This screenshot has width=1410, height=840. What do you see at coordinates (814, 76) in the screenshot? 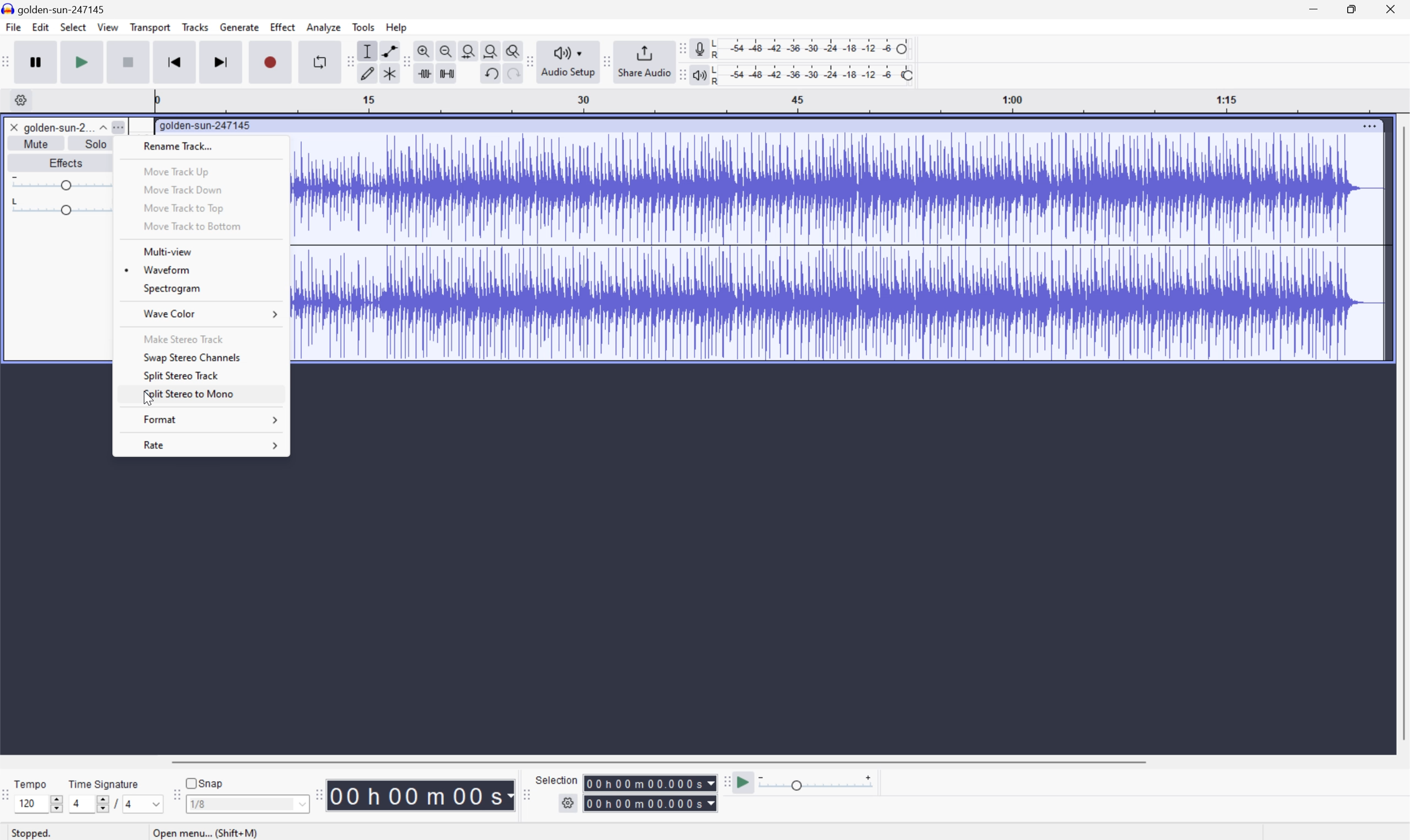
I see `Playback level: 100%` at bounding box center [814, 76].